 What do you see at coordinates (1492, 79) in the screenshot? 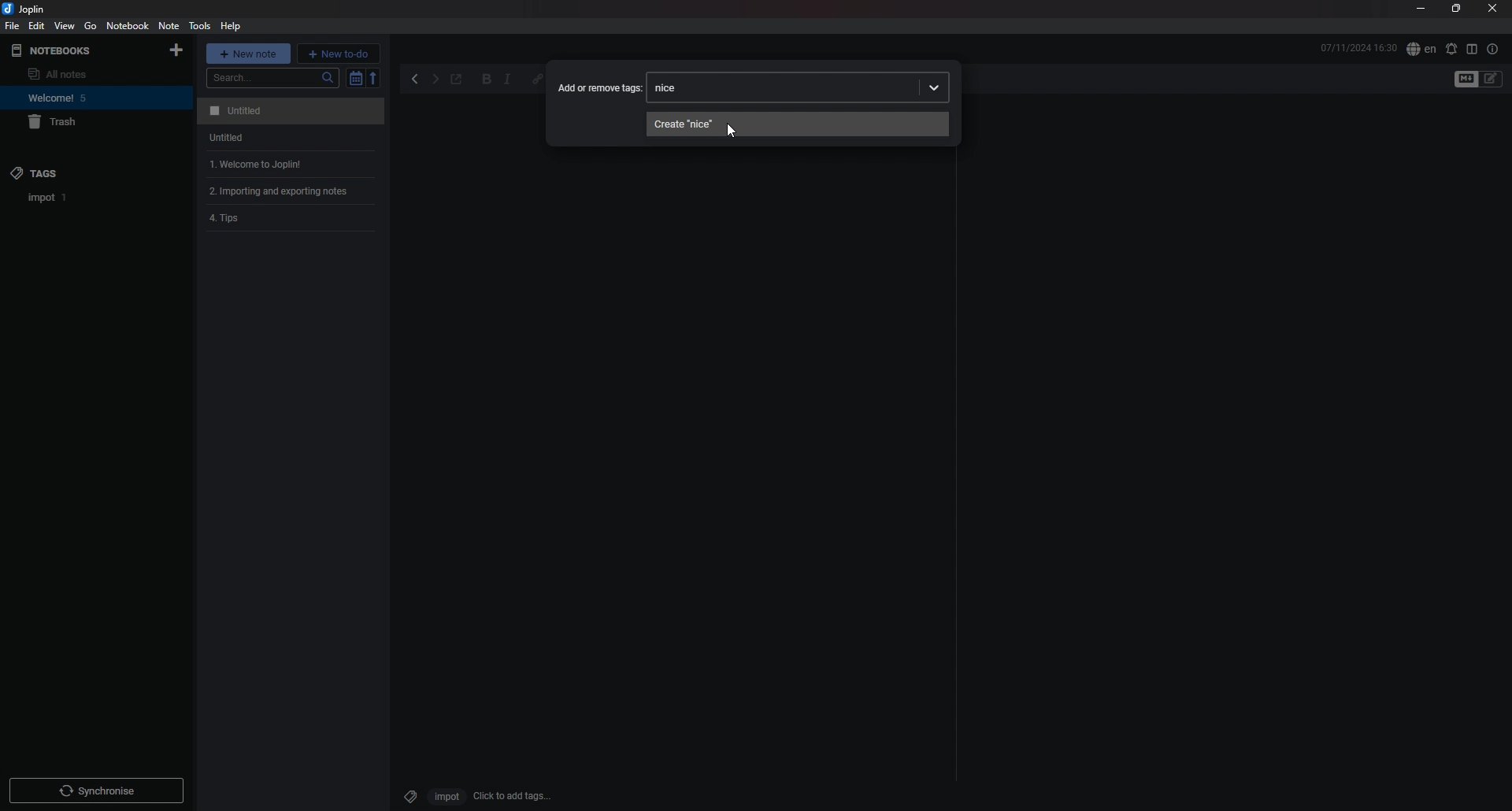
I see `toggle editors` at bounding box center [1492, 79].